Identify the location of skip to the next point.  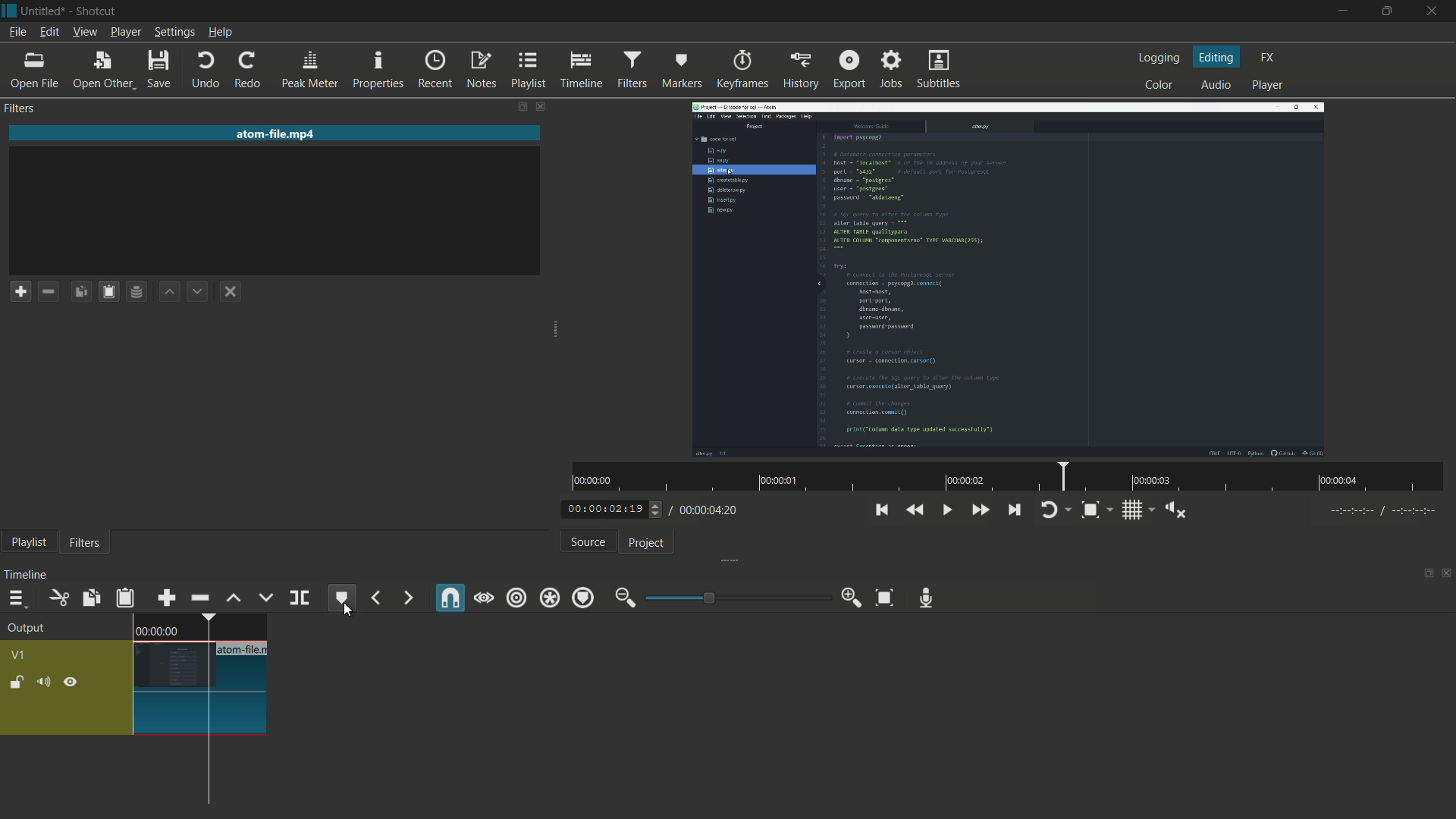
(1014, 510).